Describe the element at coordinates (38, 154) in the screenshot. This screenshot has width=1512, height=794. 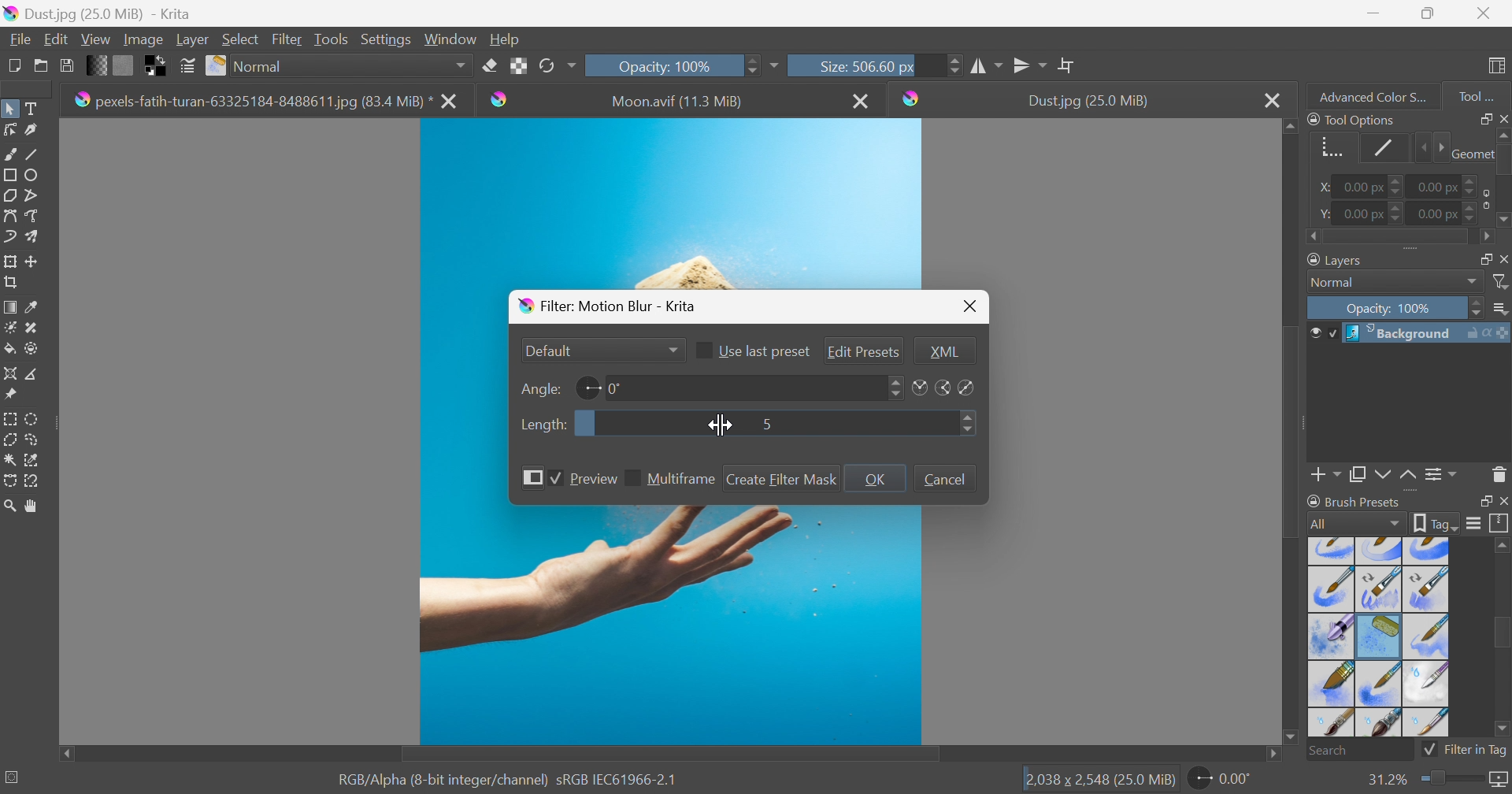
I see `Line tool` at that location.